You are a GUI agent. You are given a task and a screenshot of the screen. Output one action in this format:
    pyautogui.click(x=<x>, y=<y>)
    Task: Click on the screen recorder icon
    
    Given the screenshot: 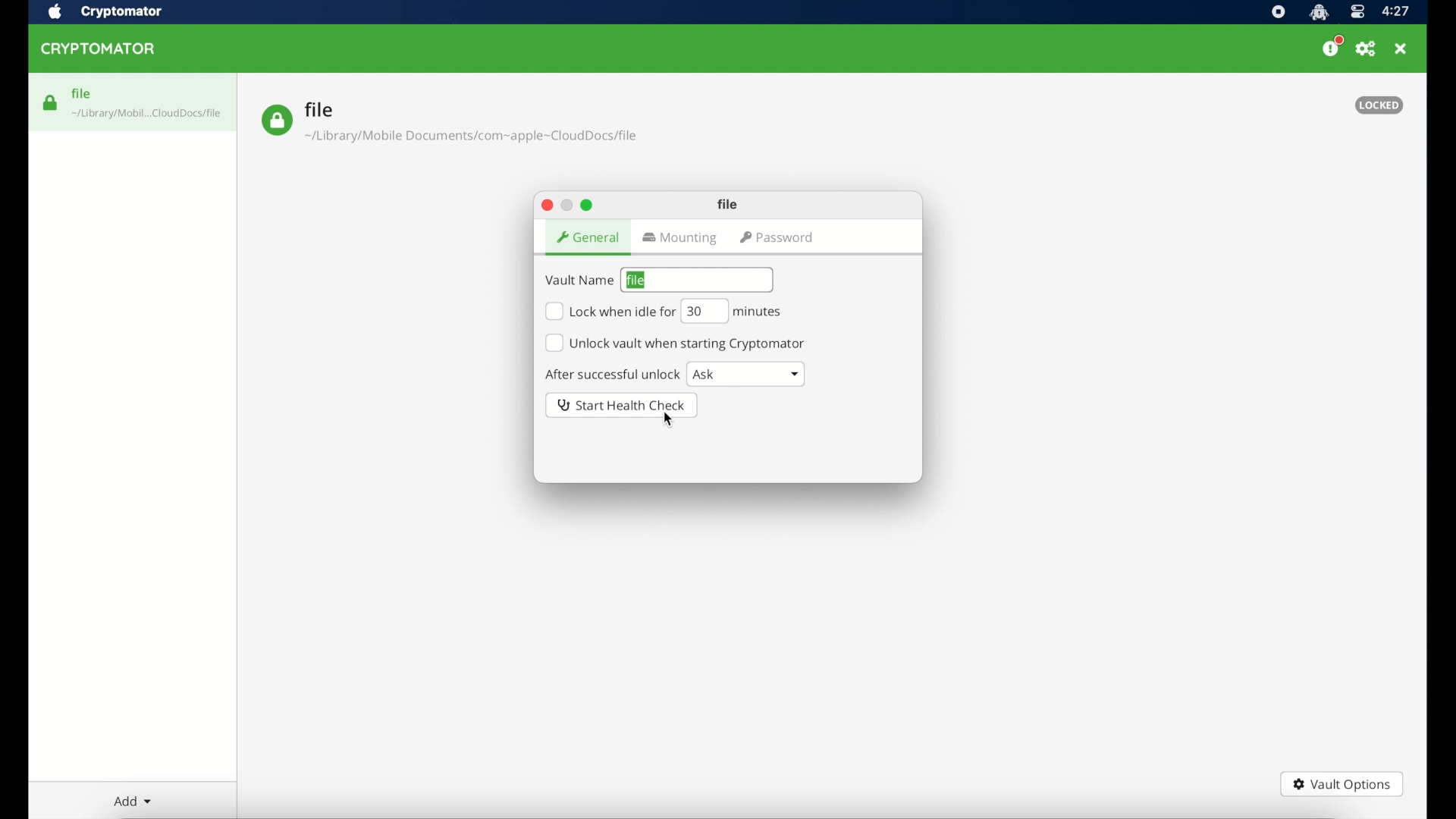 What is the action you would take?
    pyautogui.click(x=1278, y=12)
    